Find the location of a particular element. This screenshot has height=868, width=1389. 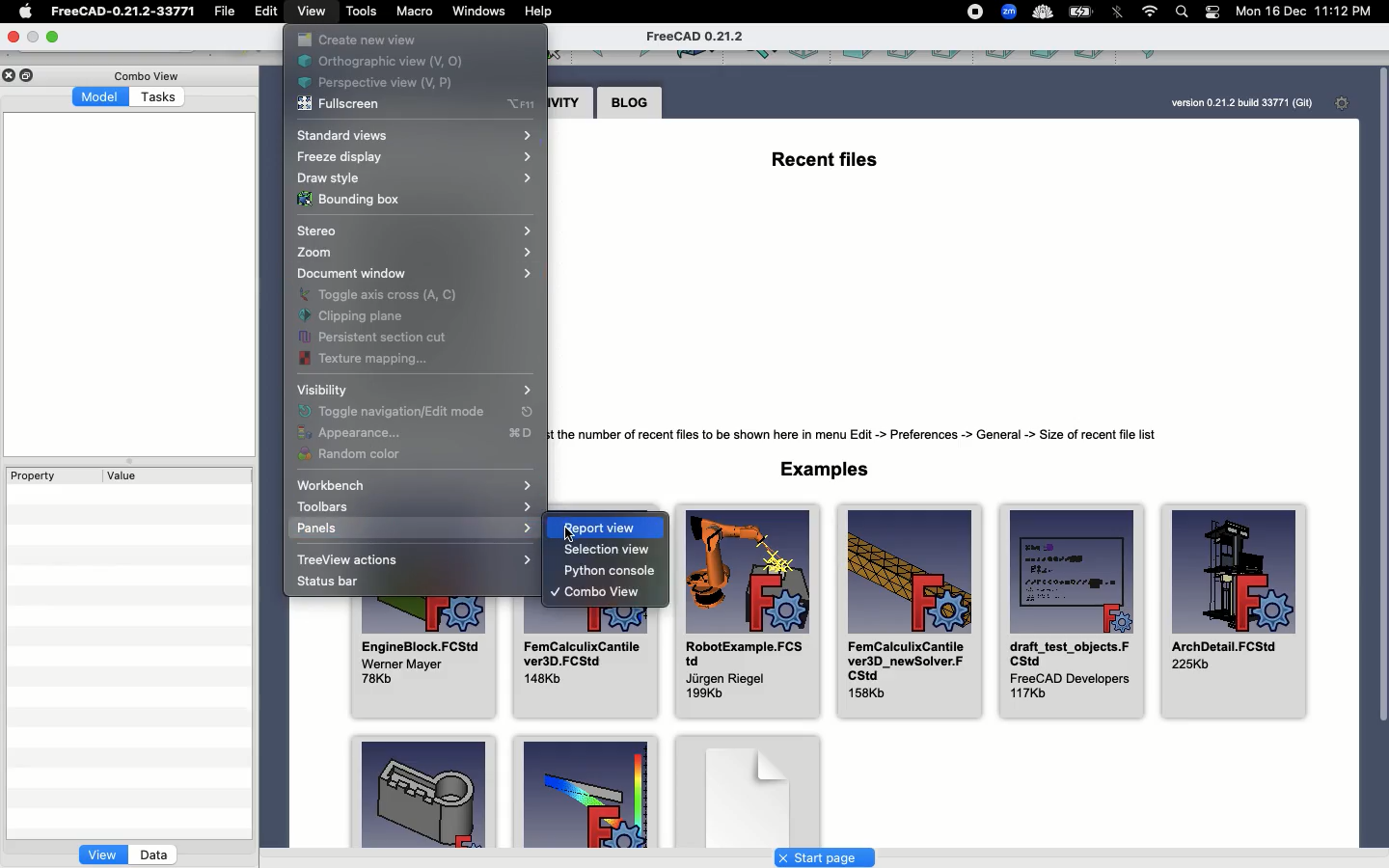

FreeCAD 0.21.2 is located at coordinates (696, 38).